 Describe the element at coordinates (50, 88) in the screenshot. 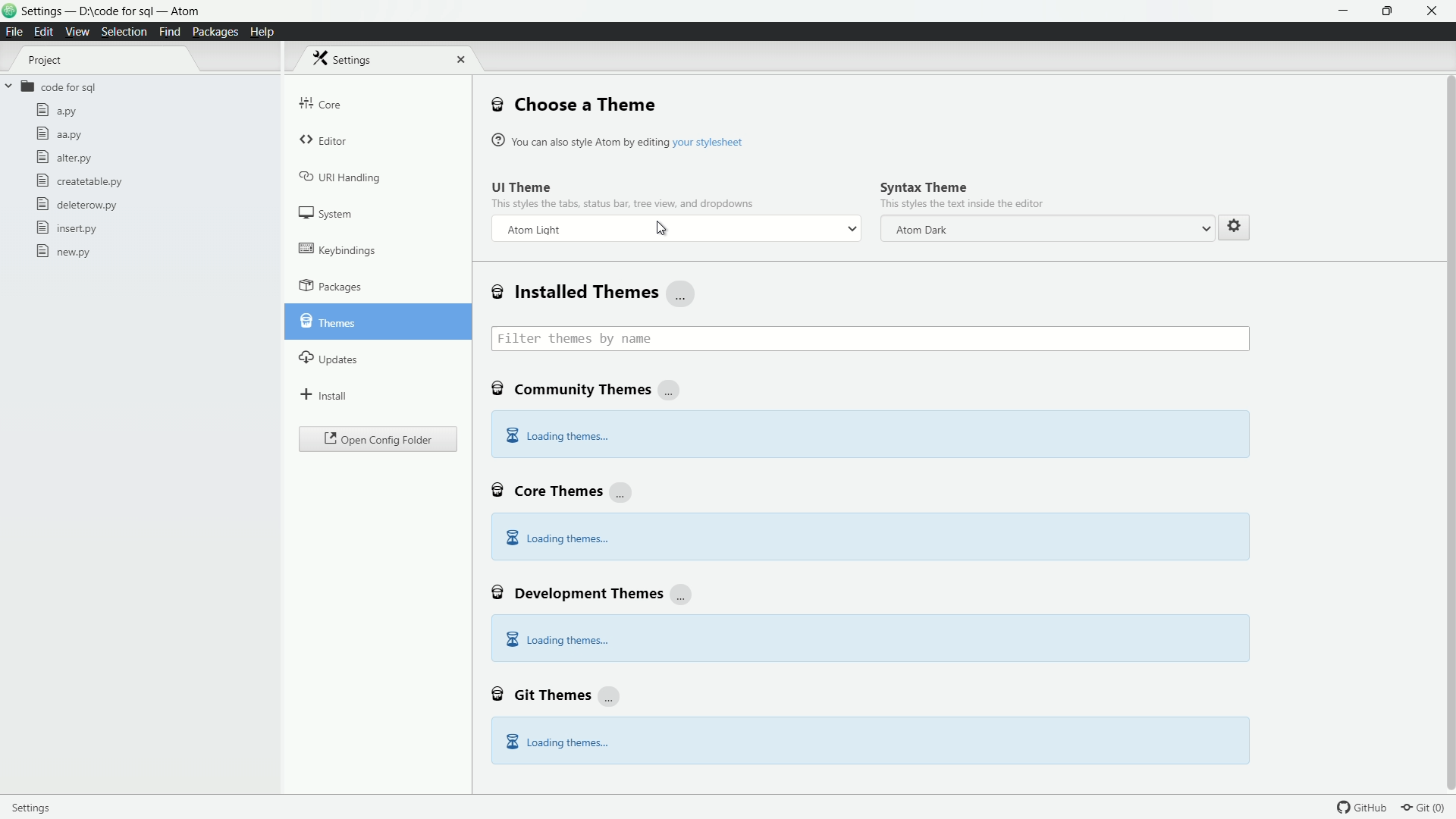

I see `code for sql folder` at that location.